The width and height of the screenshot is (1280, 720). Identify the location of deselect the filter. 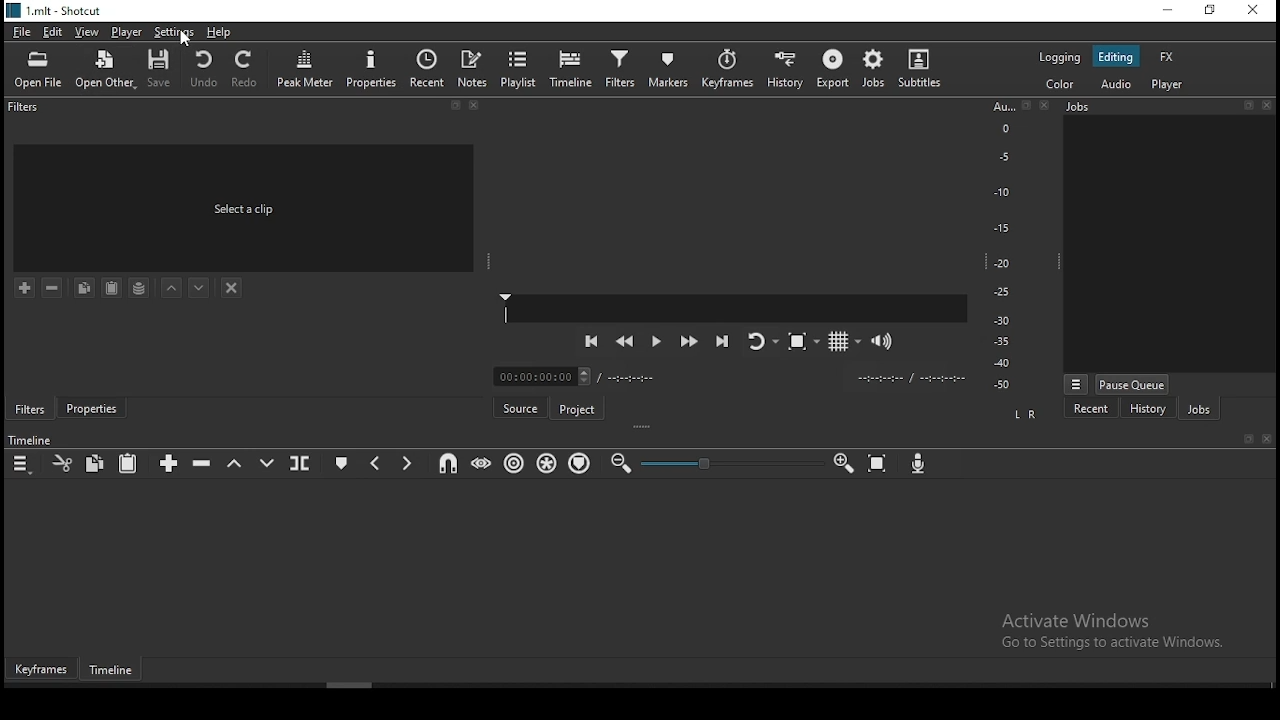
(233, 287).